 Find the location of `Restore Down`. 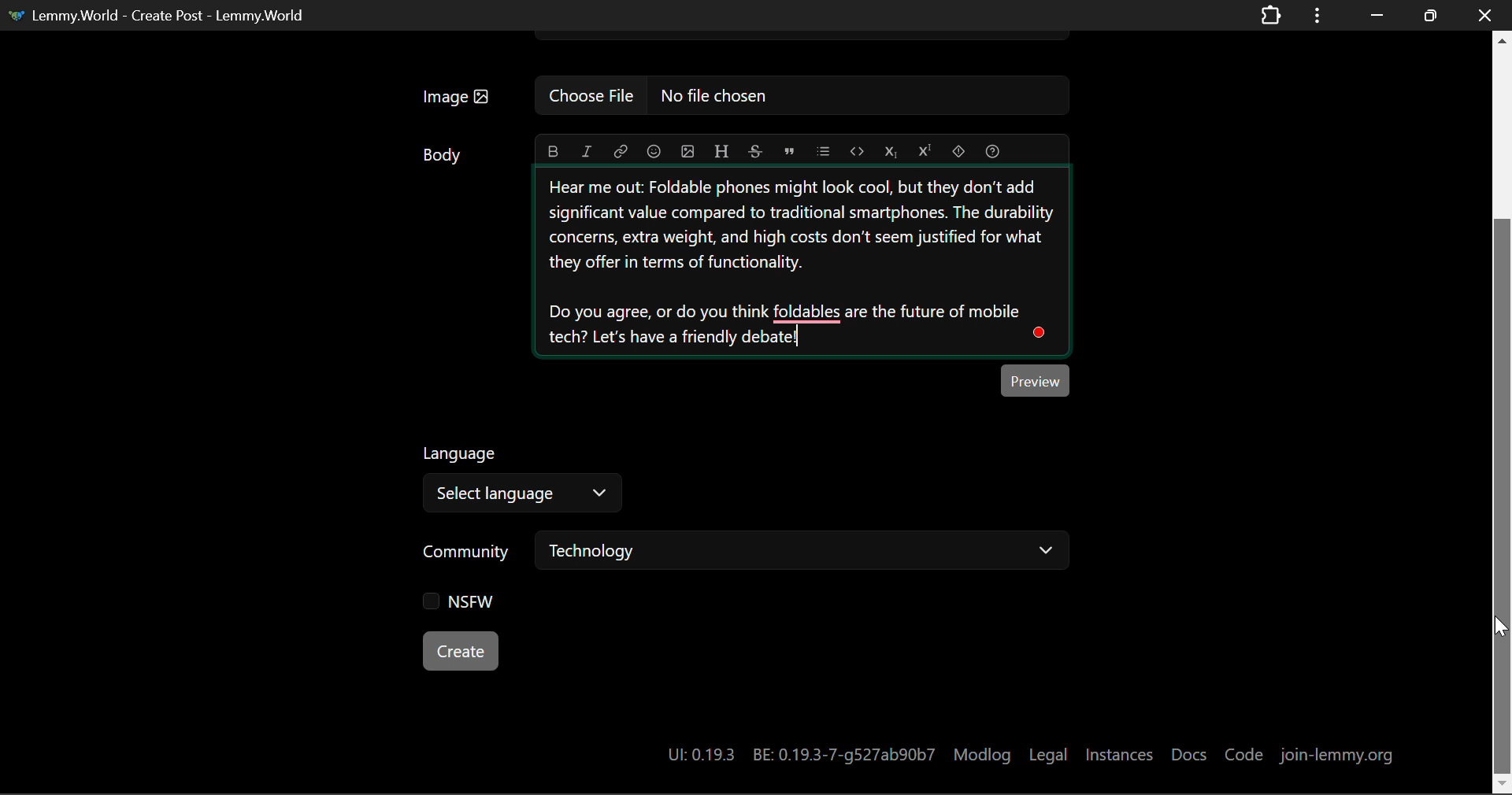

Restore Down is located at coordinates (1374, 15).